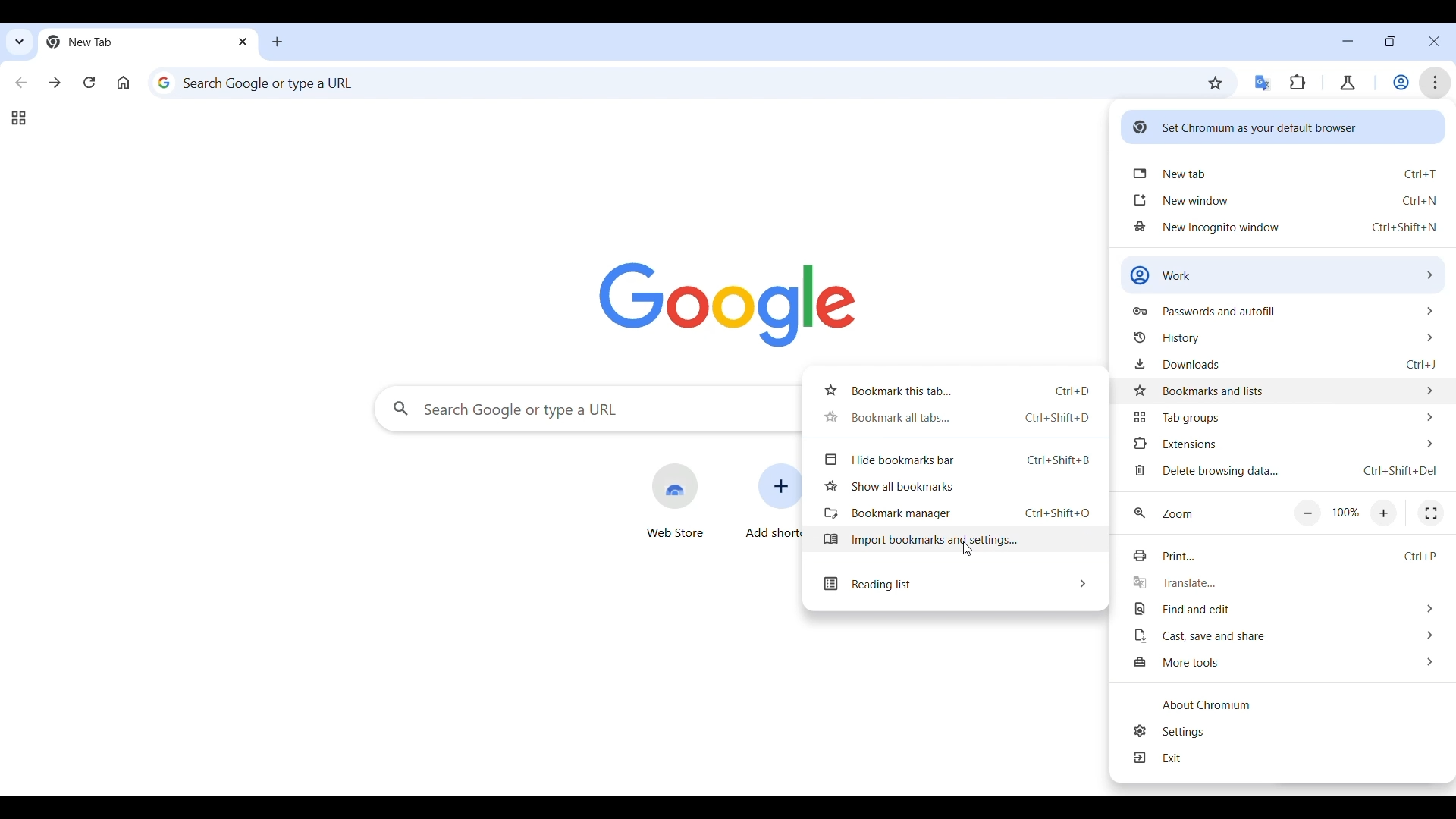 The height and width of the screenshot is (819, 1456). Describe the element at coordinates (954, 539) in the screenshot. I see `Import bookmarks and settings` at that location.